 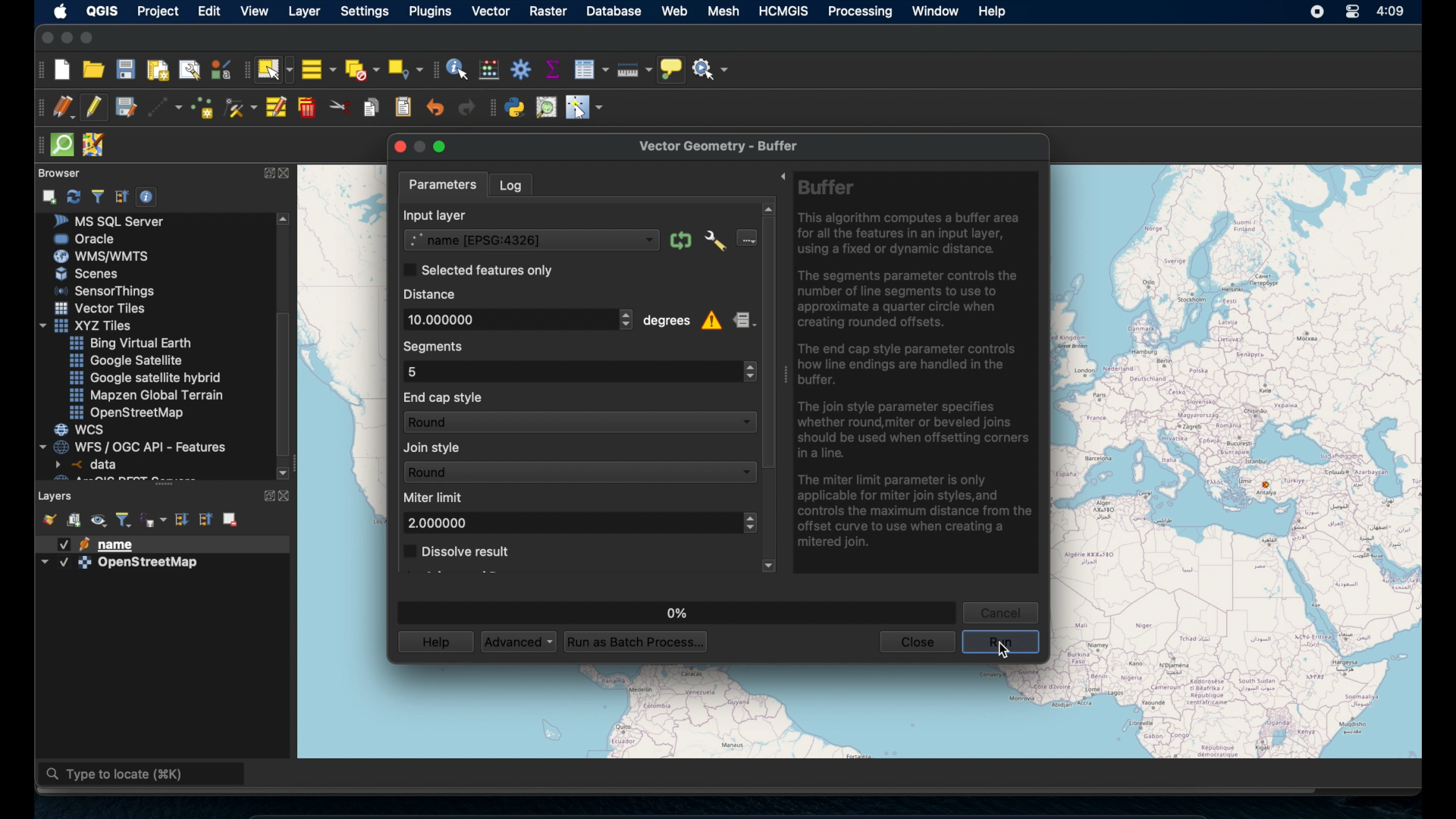 I want to click on josh remote, so click(x=97, y=146).